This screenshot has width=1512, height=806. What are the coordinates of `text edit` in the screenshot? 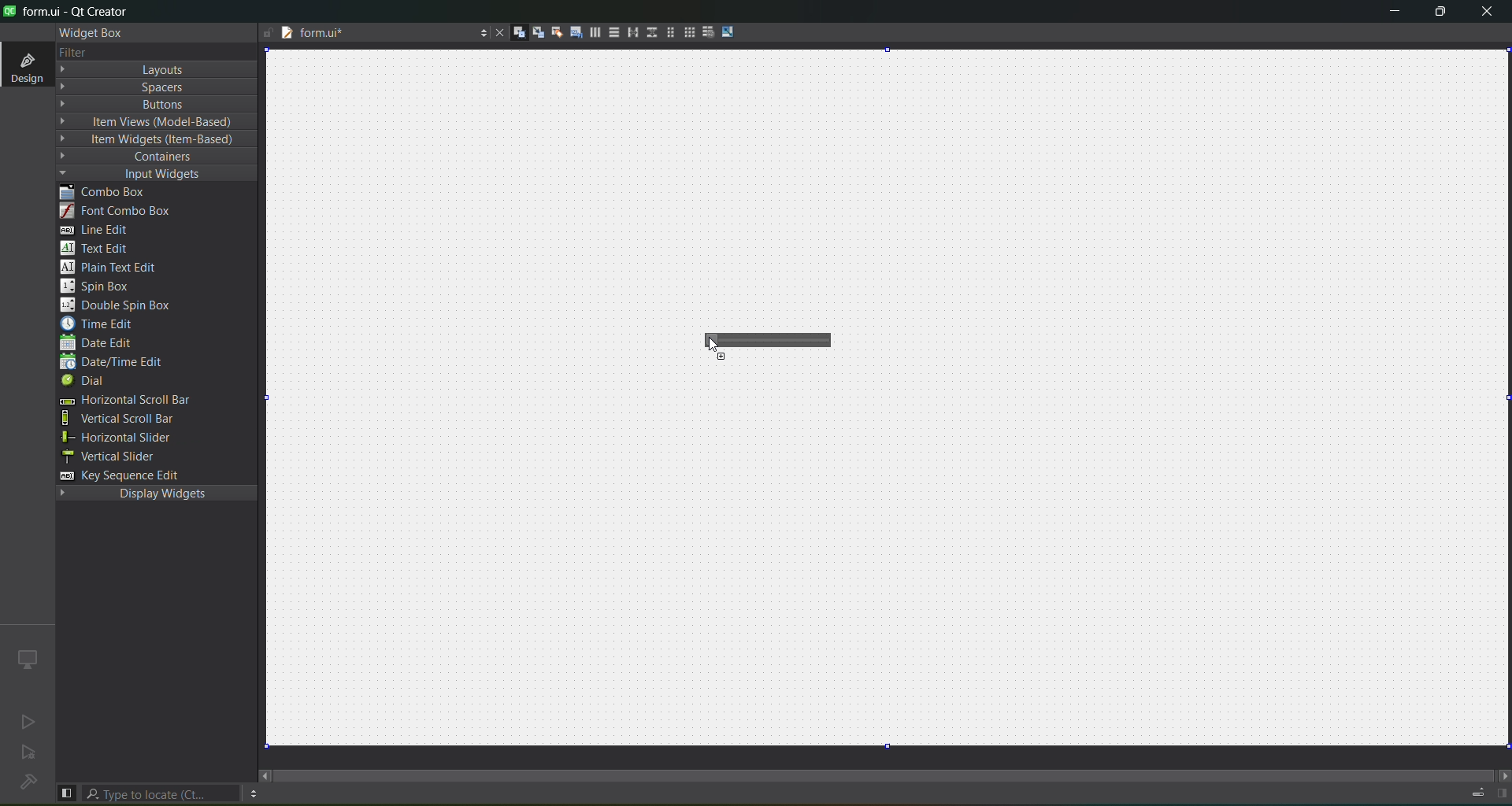 It's located at (99, 250).